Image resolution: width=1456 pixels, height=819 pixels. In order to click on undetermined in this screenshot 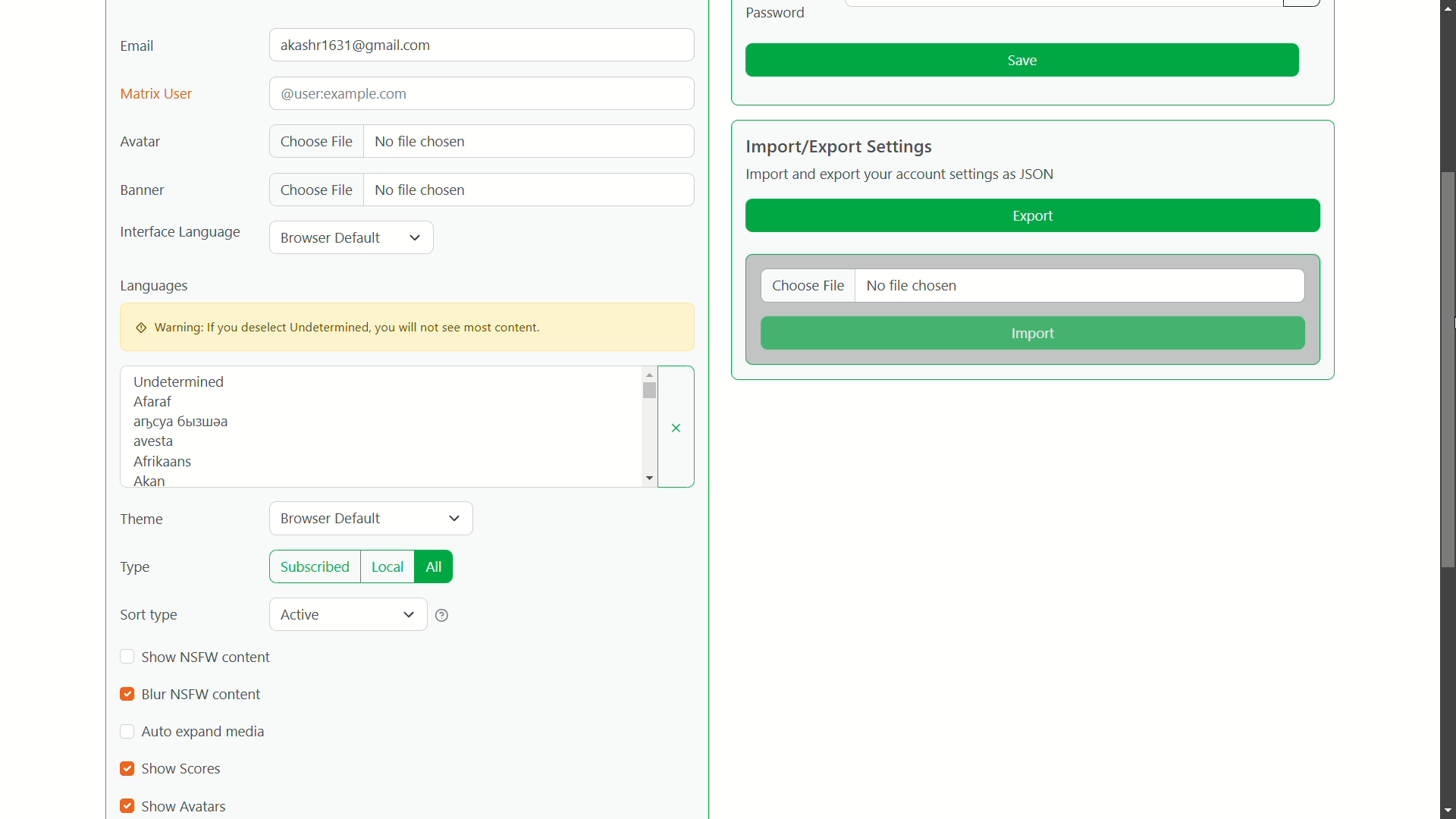, I will do `click(179, 381)`.